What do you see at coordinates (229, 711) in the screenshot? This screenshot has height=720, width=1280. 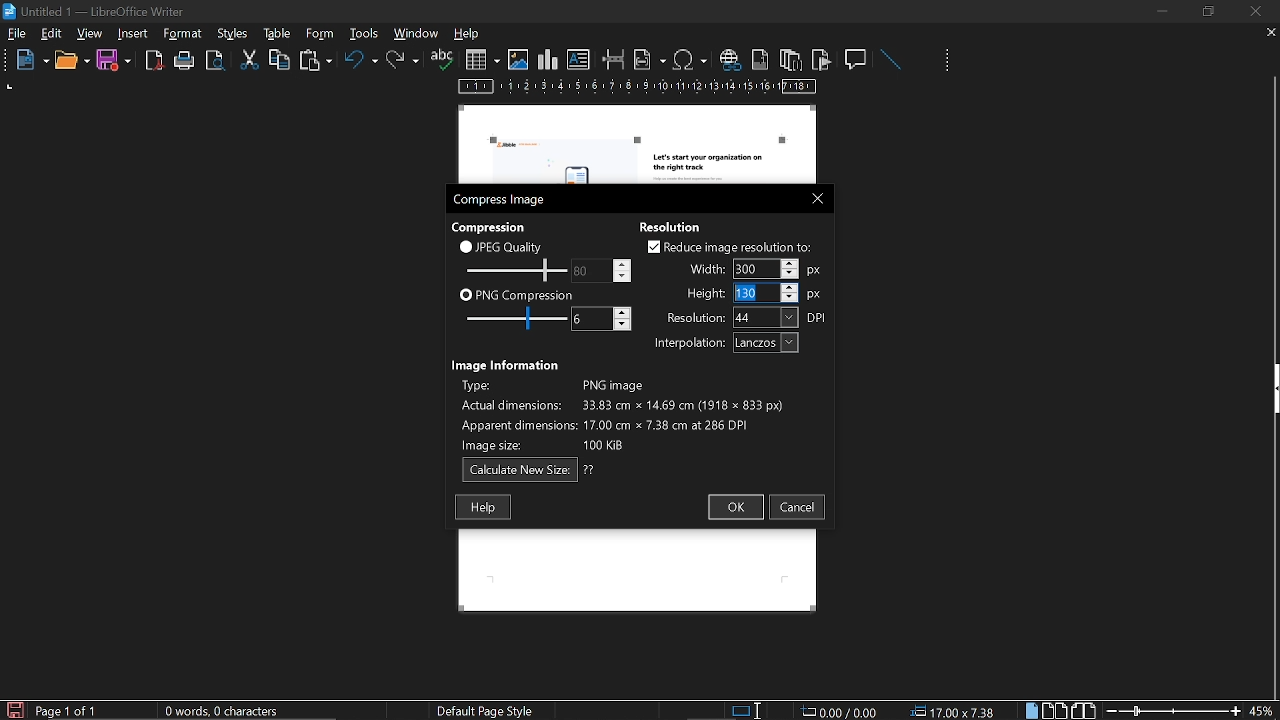 I see `word count` at bounding box center [229, 711].